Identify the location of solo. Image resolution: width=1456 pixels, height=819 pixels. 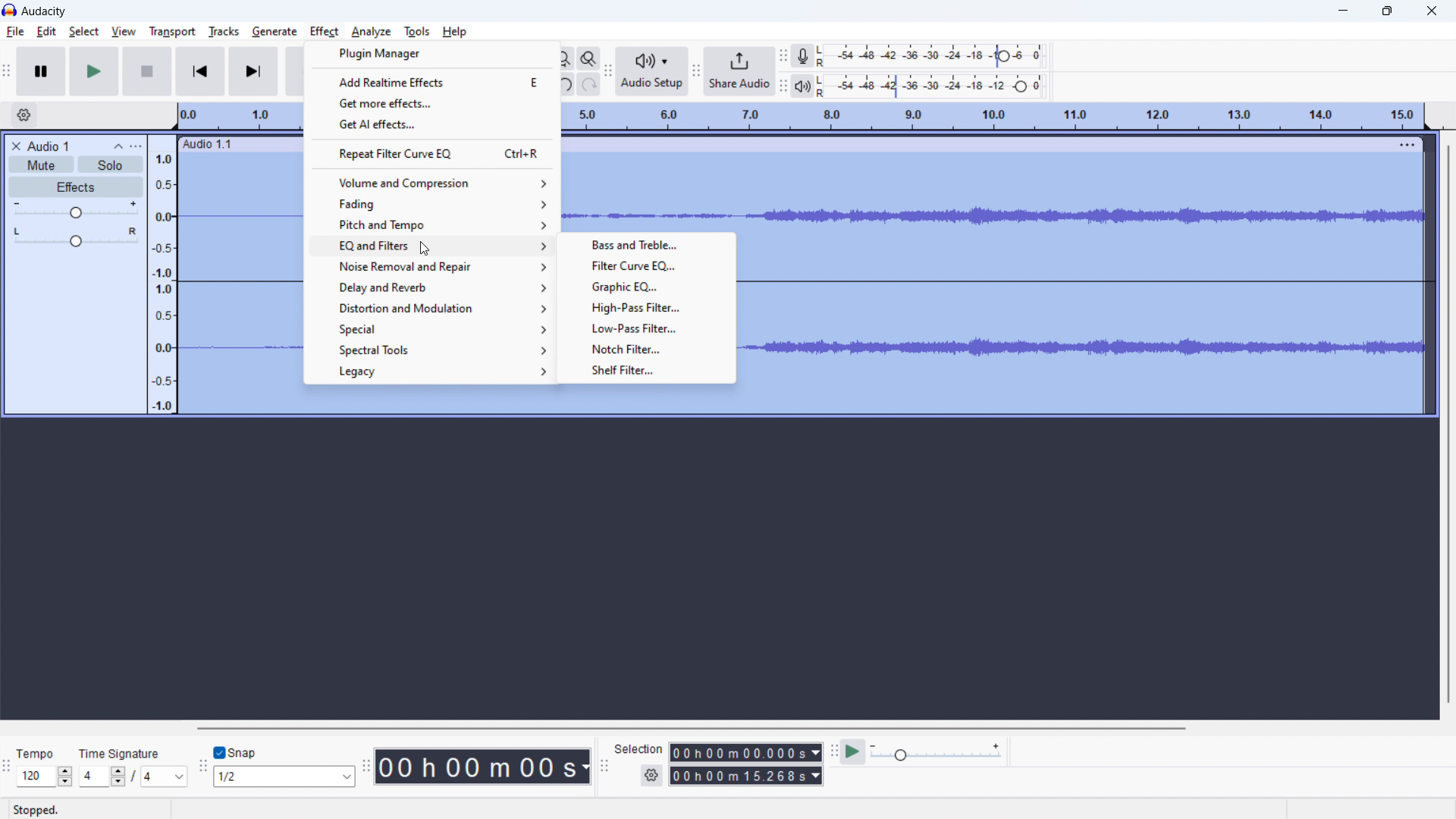
(110, 165).